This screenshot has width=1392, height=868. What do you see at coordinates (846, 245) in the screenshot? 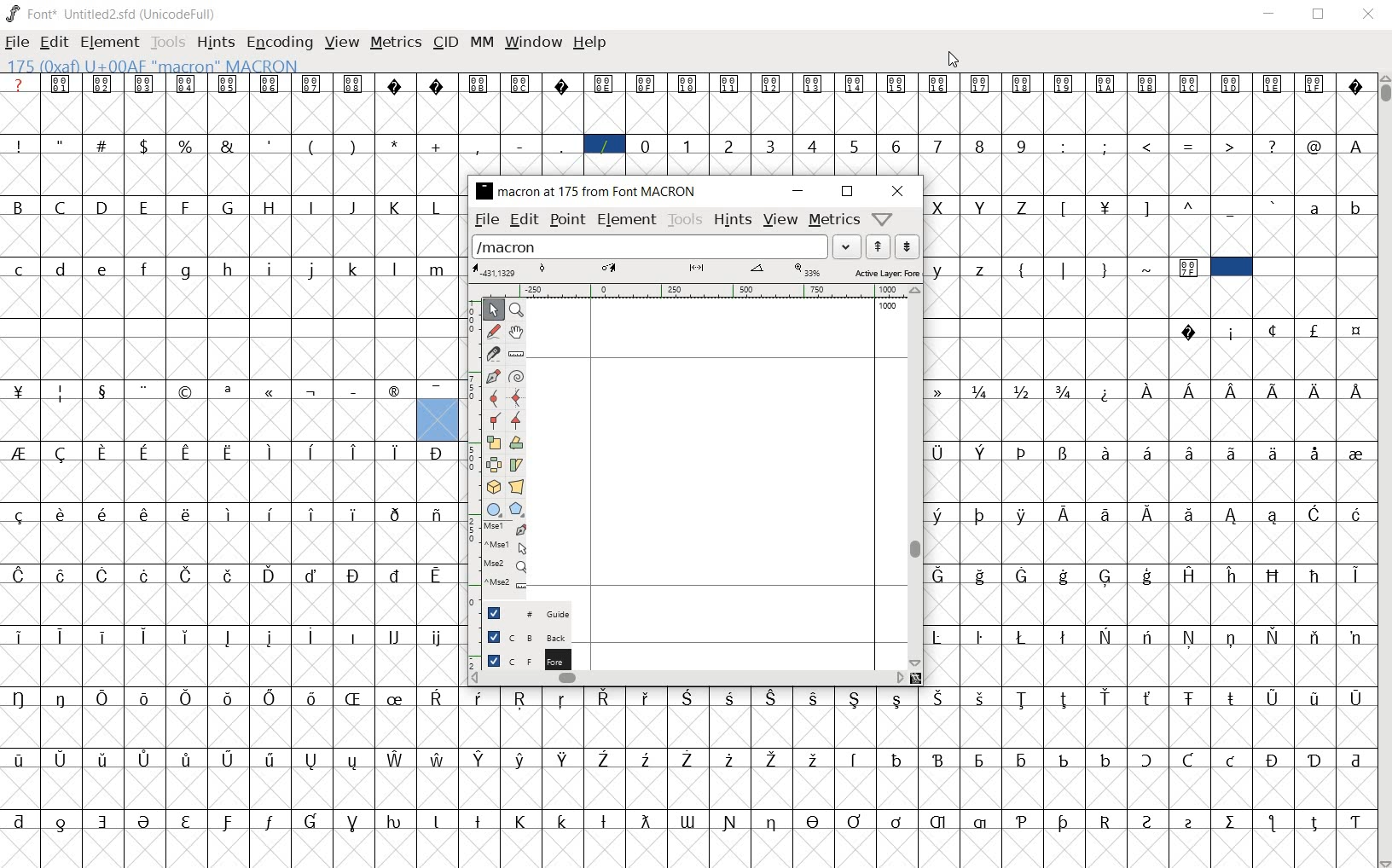
I see `drop down` at bounding box center [846, 245].